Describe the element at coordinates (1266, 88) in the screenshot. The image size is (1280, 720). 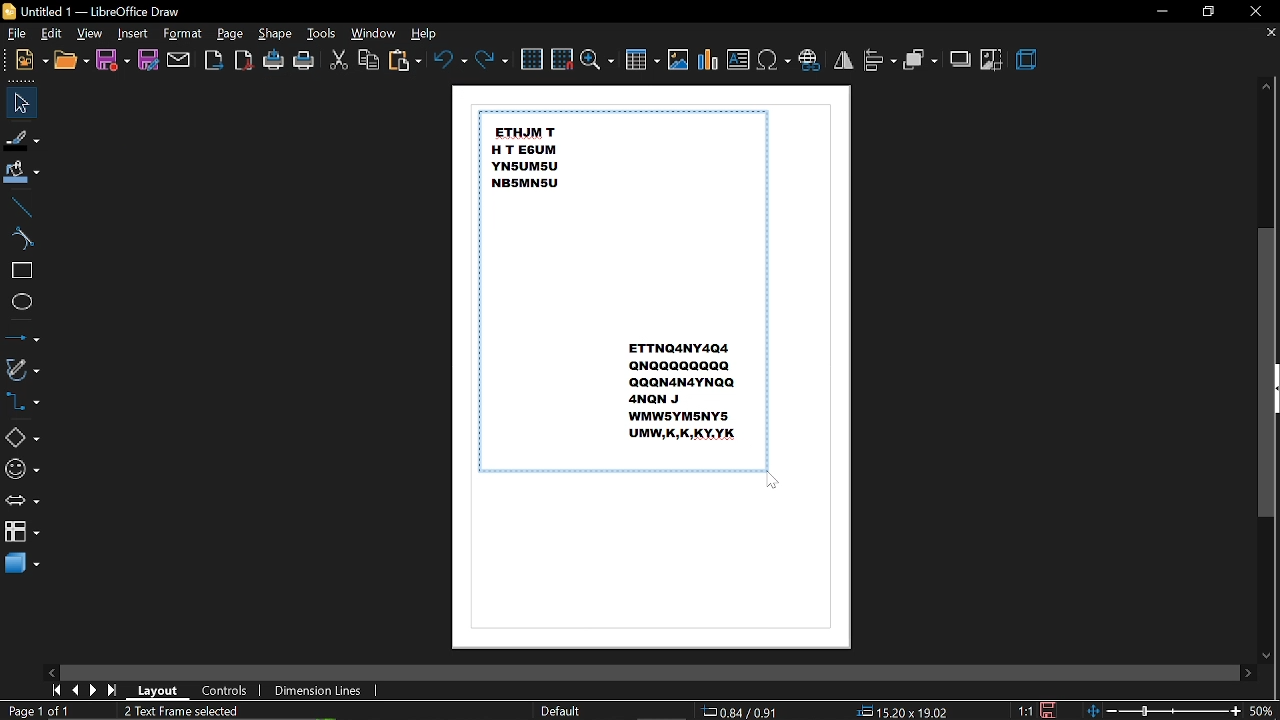
I see `Move up` at that location.